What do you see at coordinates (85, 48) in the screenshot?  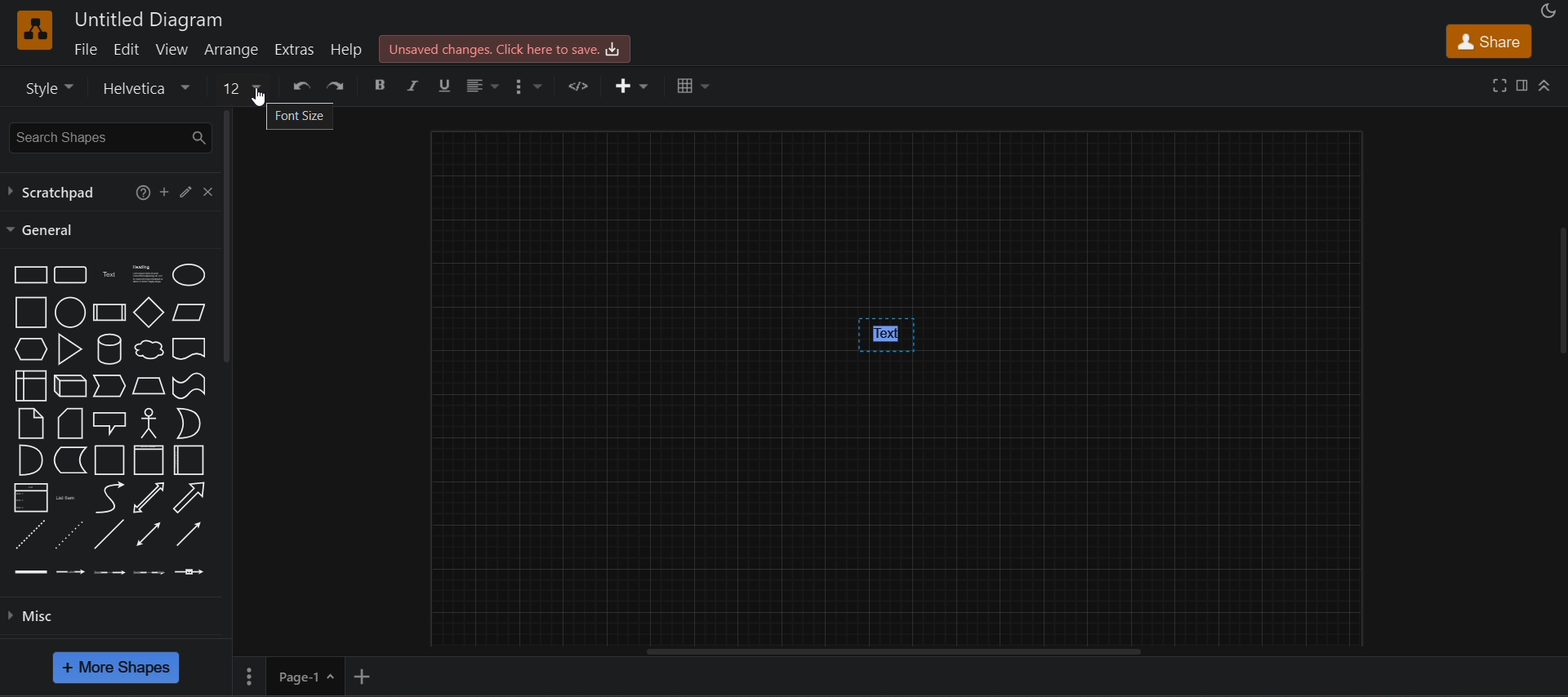 I see `file` at bounding box center [85, 48].